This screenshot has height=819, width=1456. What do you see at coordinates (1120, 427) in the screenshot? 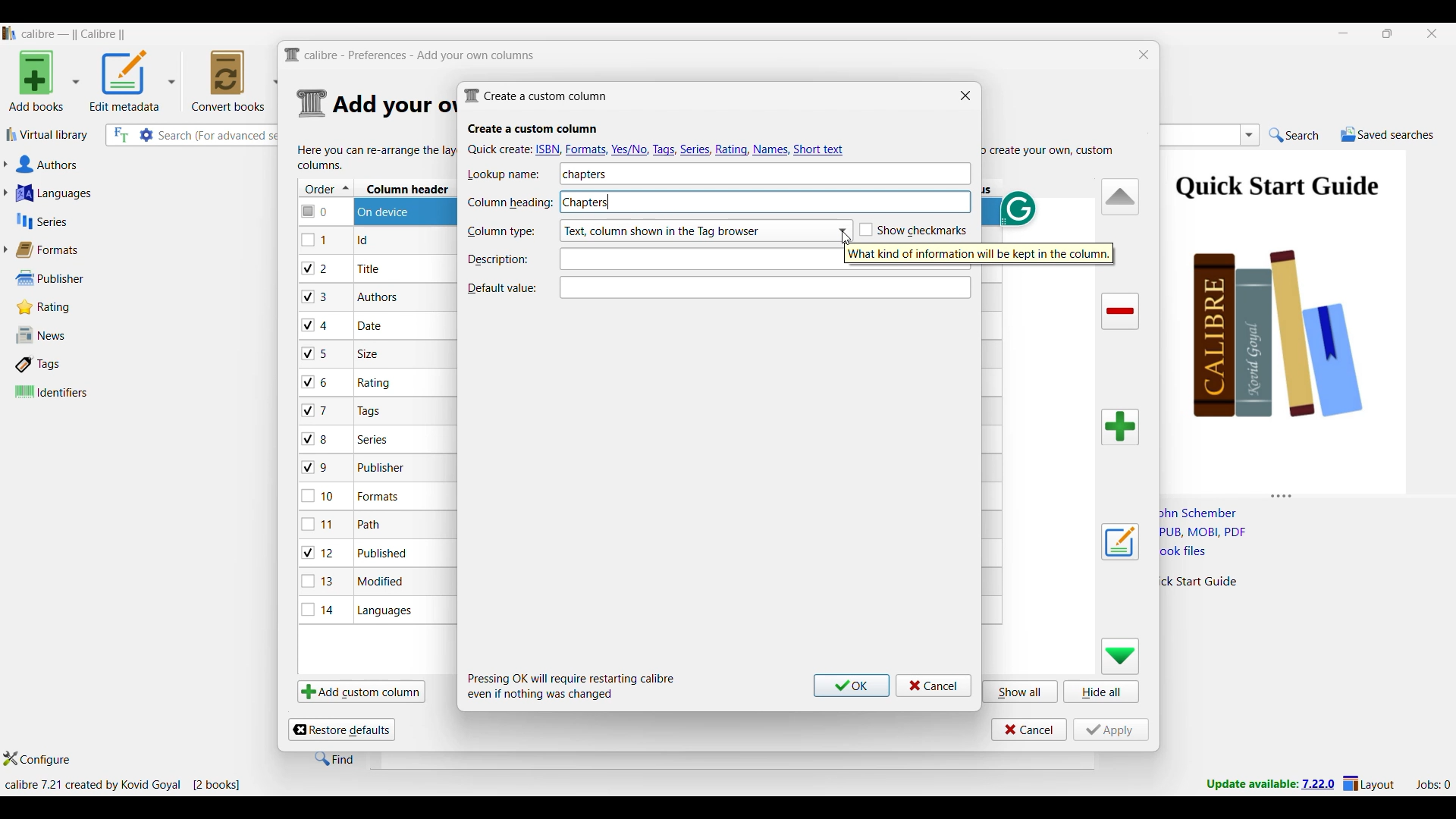
I see `Add column` at bounding box center [1120, 427].